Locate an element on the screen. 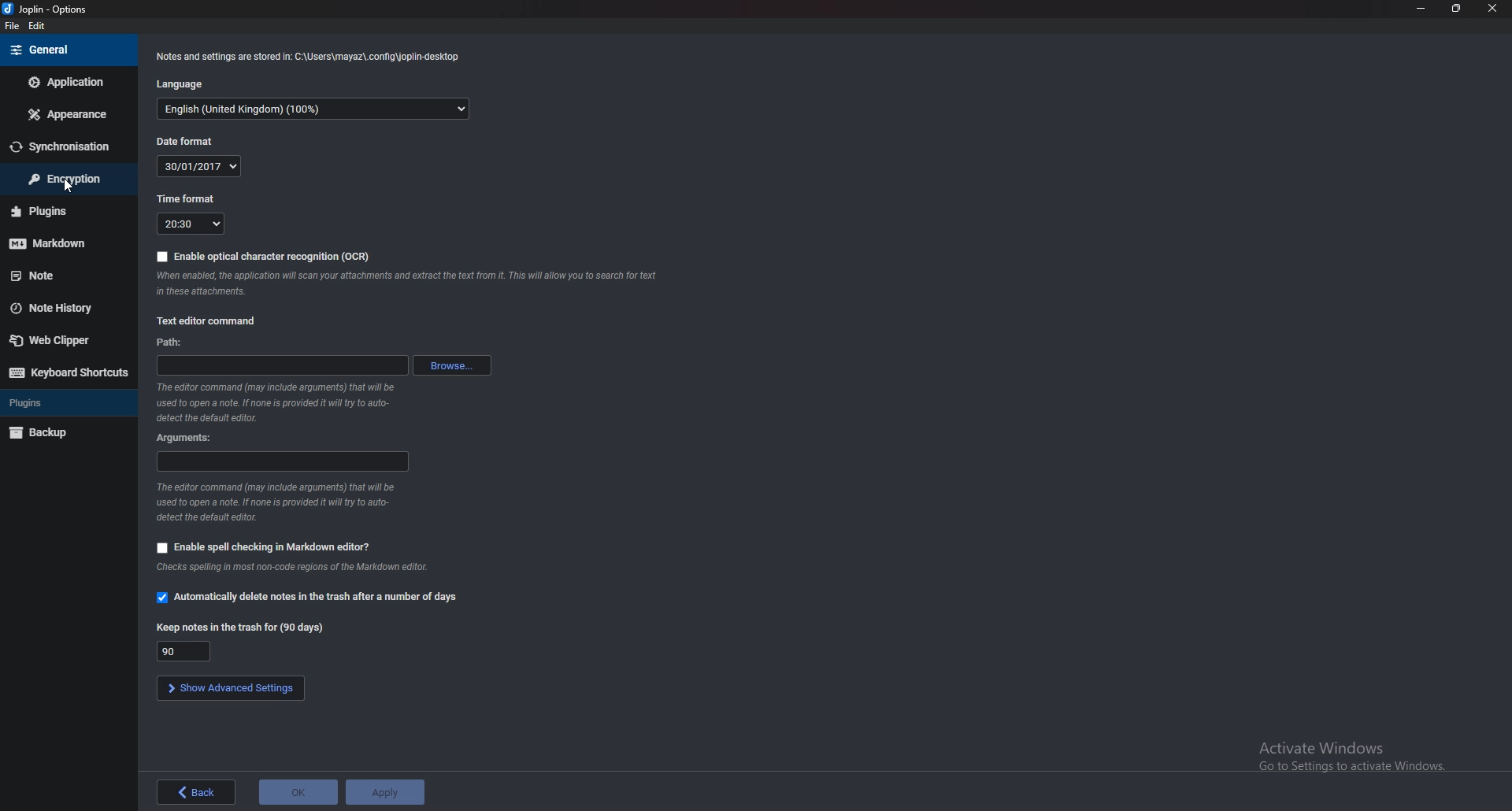  minimize is located at coordinates (1421, 9).